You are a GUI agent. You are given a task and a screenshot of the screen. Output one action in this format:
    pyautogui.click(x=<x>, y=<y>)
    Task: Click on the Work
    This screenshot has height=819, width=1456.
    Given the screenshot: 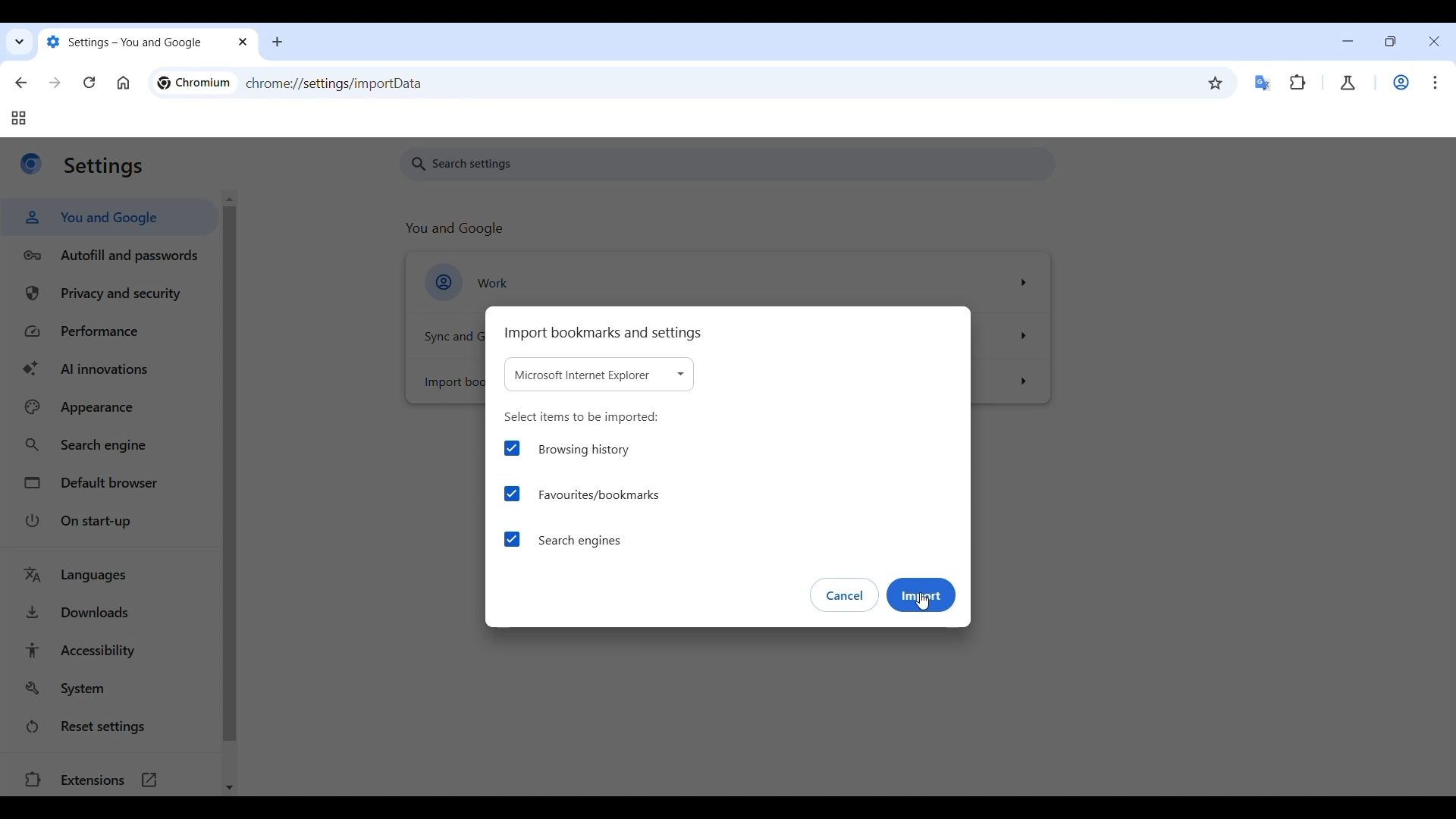 What is the action you would take?
    pyautogui.click(x=728, y=282)
    